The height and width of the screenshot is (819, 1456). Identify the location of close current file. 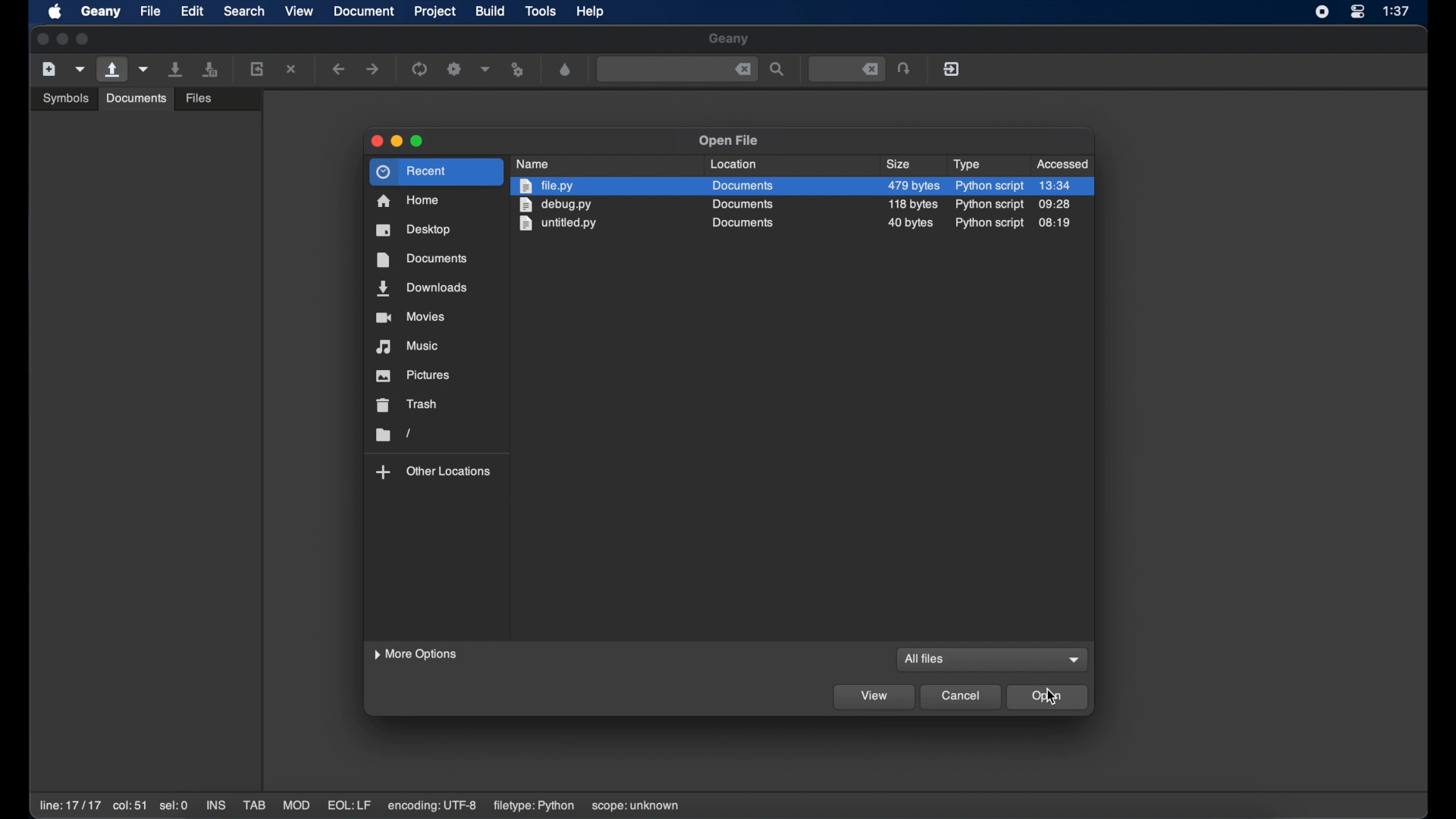
(293, 69).